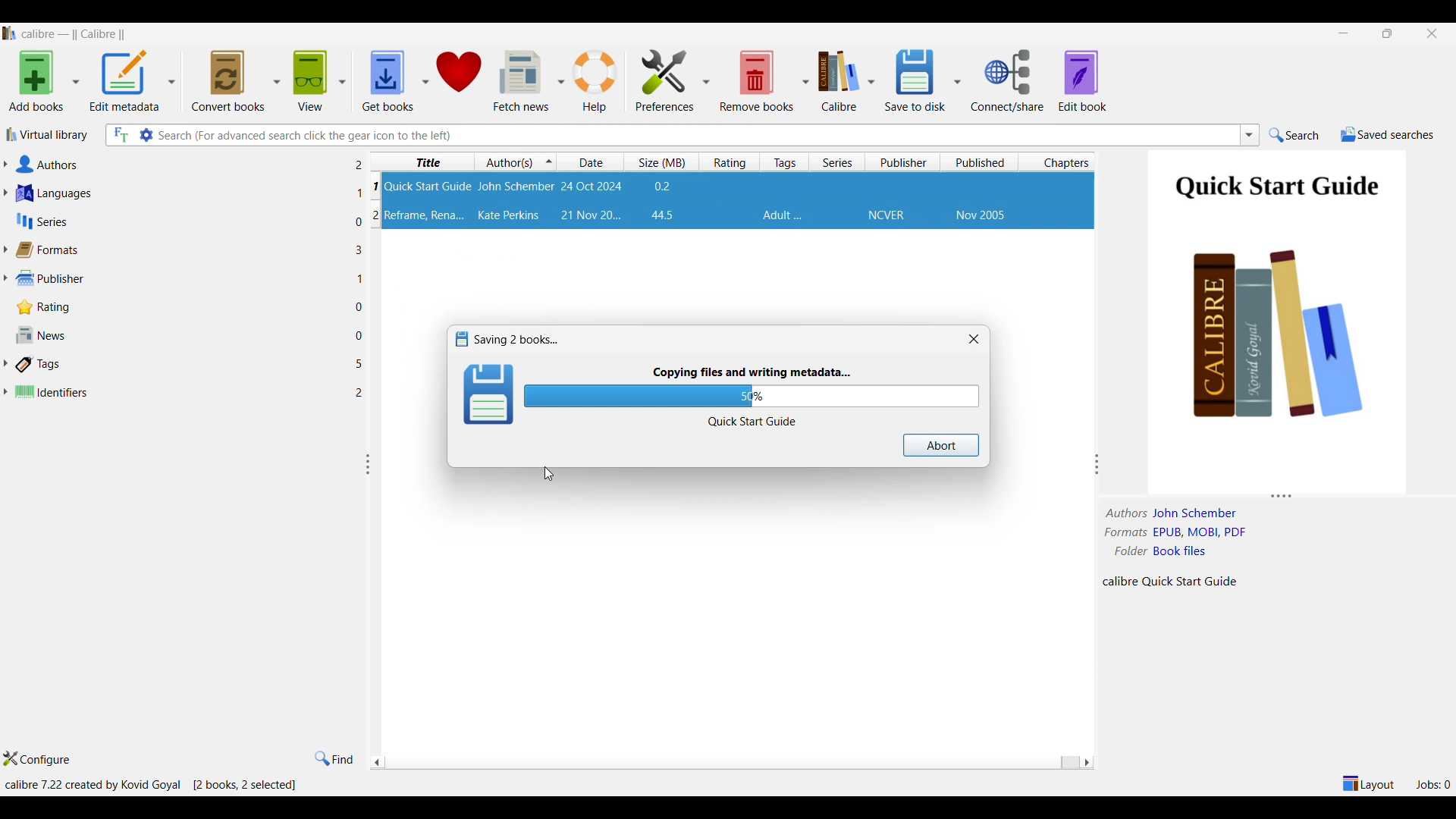 Image resolution: width=1456 pixels, height=819 pixels. Describe the element at coordinates (1432, 34) in the screenshot. I see `Close interface` at that location.